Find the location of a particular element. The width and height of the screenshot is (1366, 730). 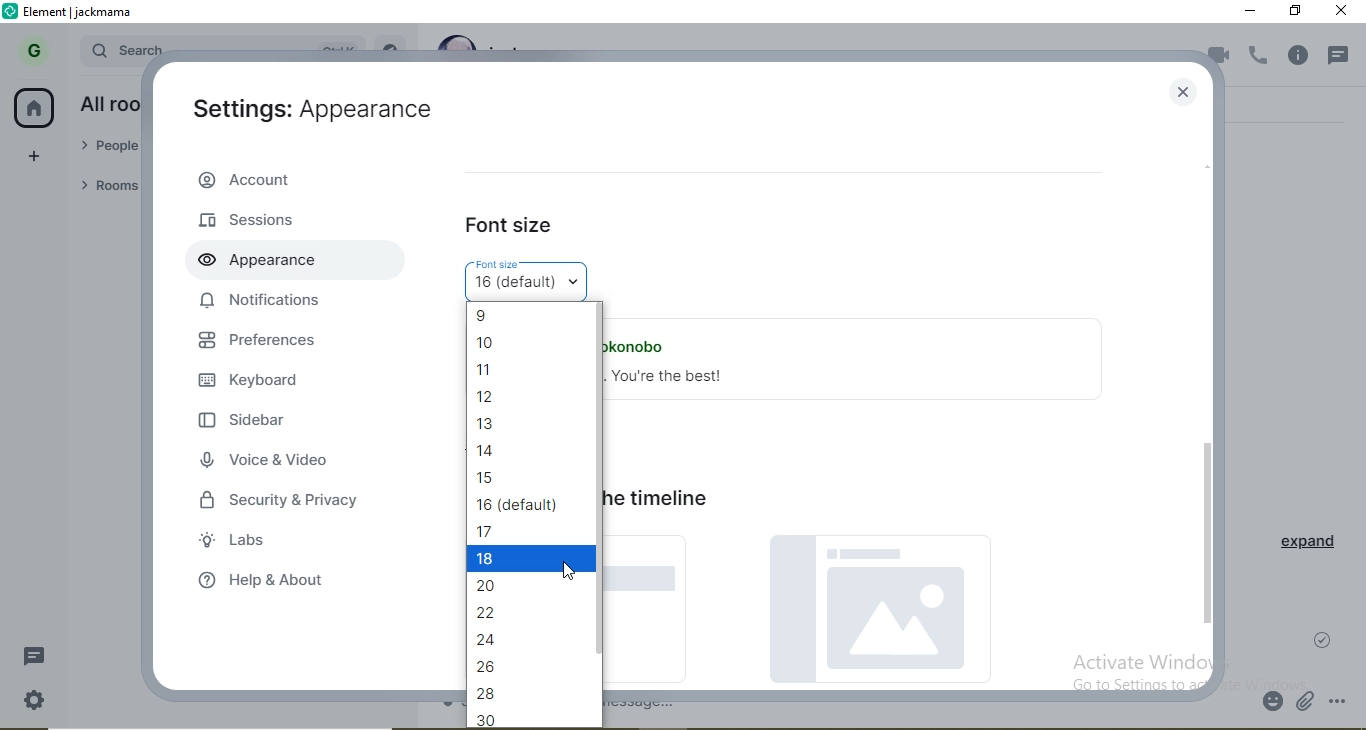

15 is located at coordinates (521, 473).